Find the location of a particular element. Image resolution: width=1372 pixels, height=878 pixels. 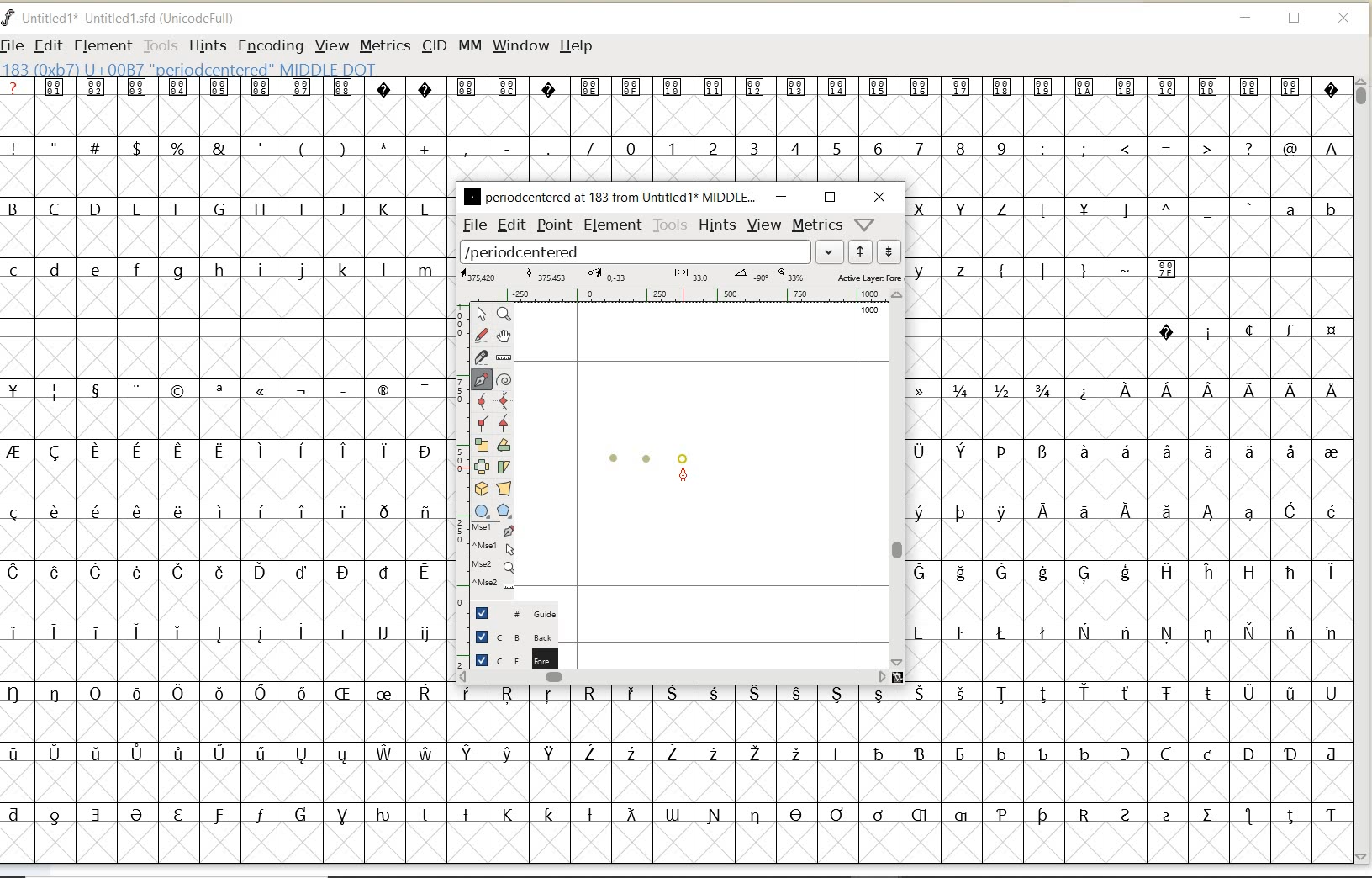

special characters is located at coordinates (895, 761).